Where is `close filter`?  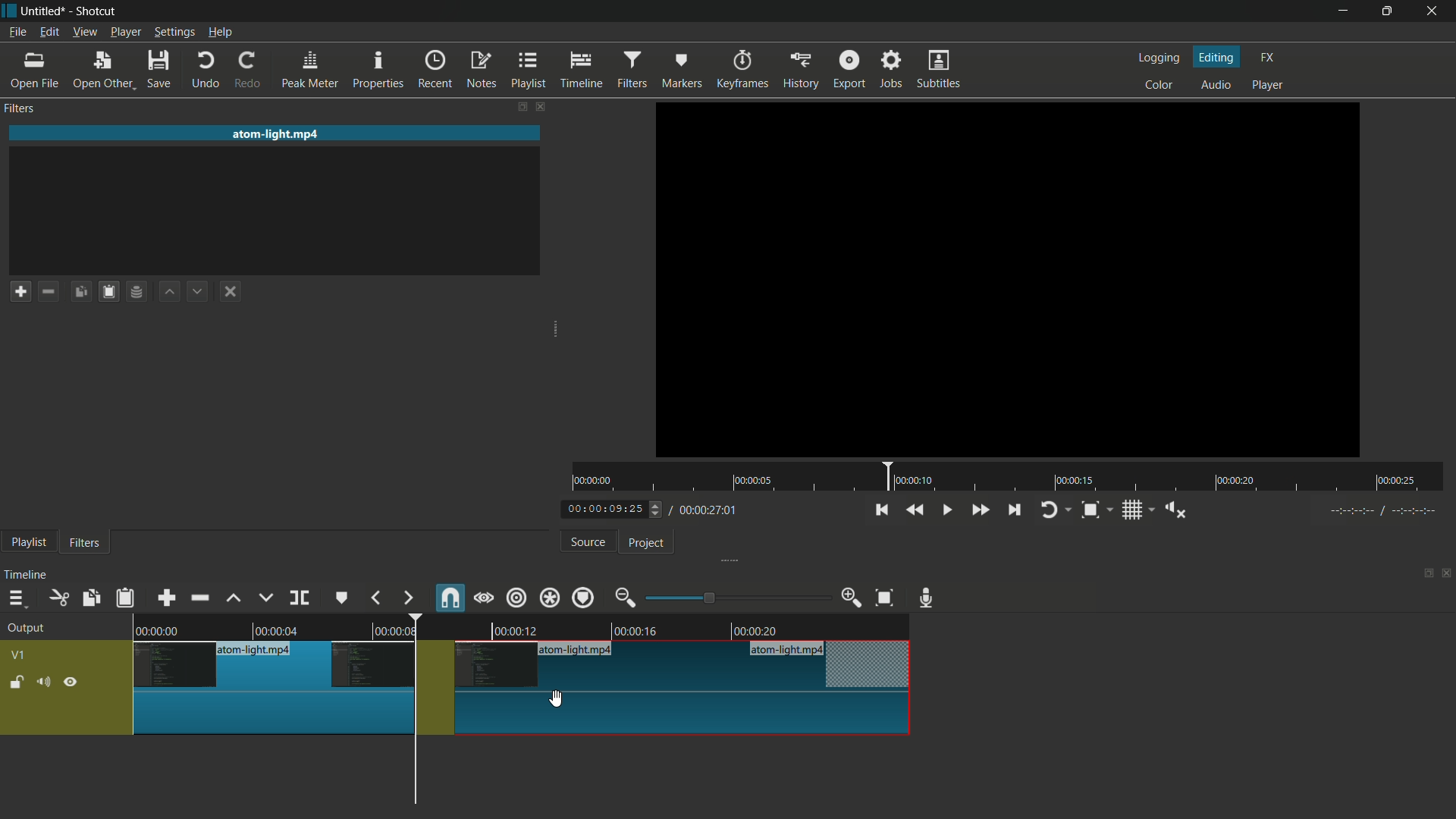
close filter is located at coordinates (539, 105).